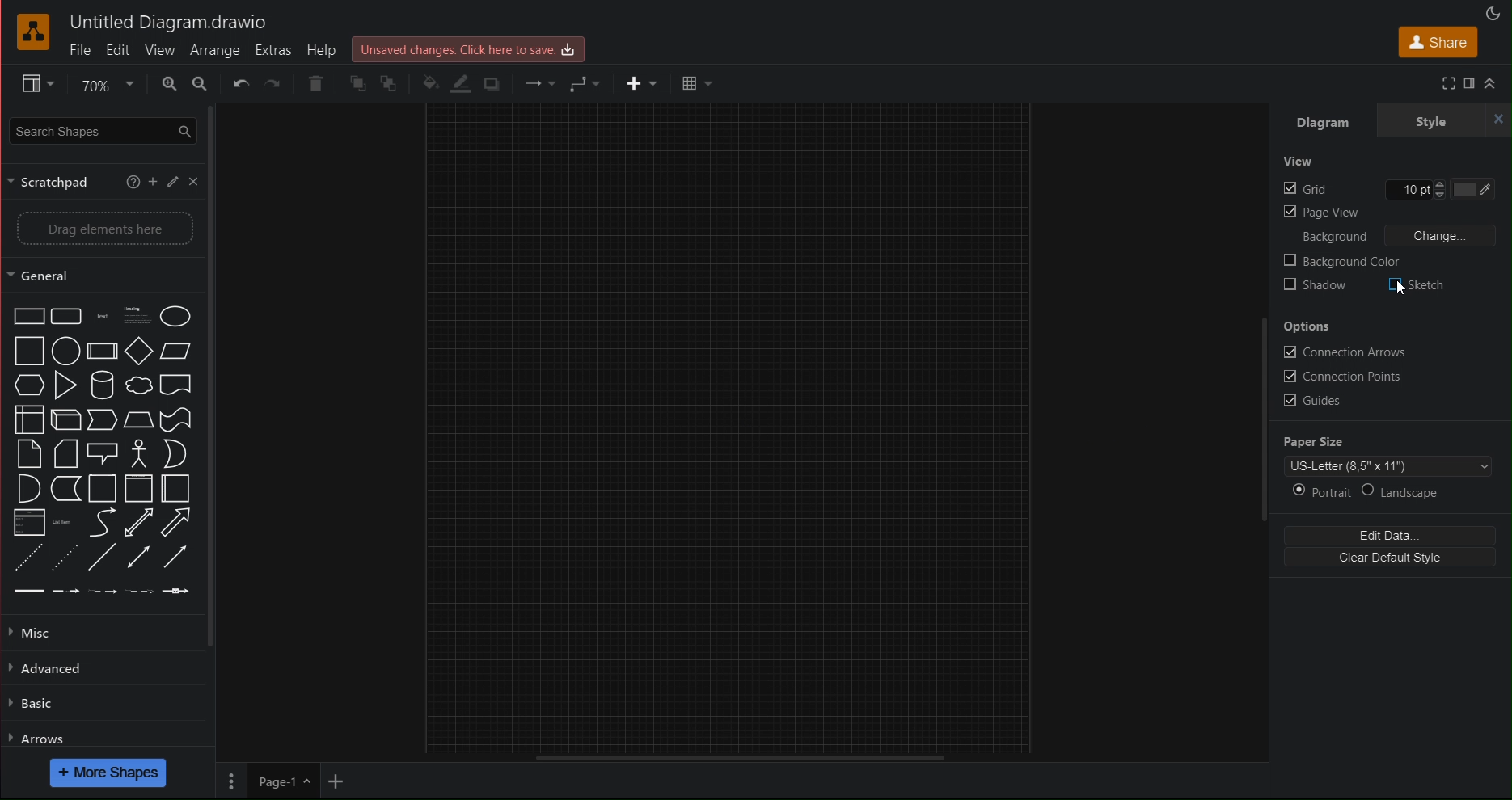 The image size is (1512, 800). Describe the element at coordinates (141, 594) in the screenshot. I see `connector with 3 label` at that location.